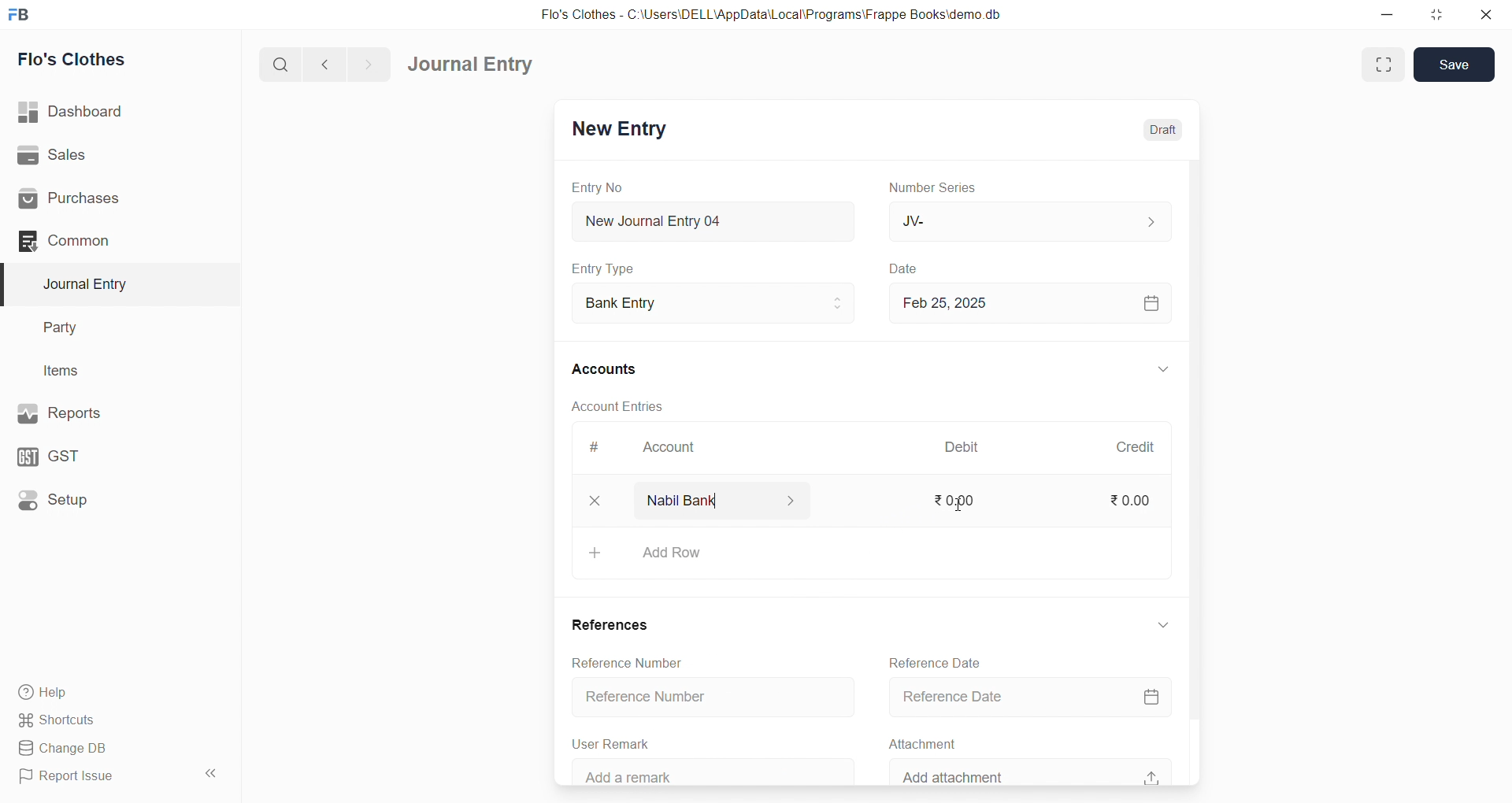 The image size is (1512, 803). Describe the element at coordinates (936, 187) in the screenshot. I see `Number Series` at that location.